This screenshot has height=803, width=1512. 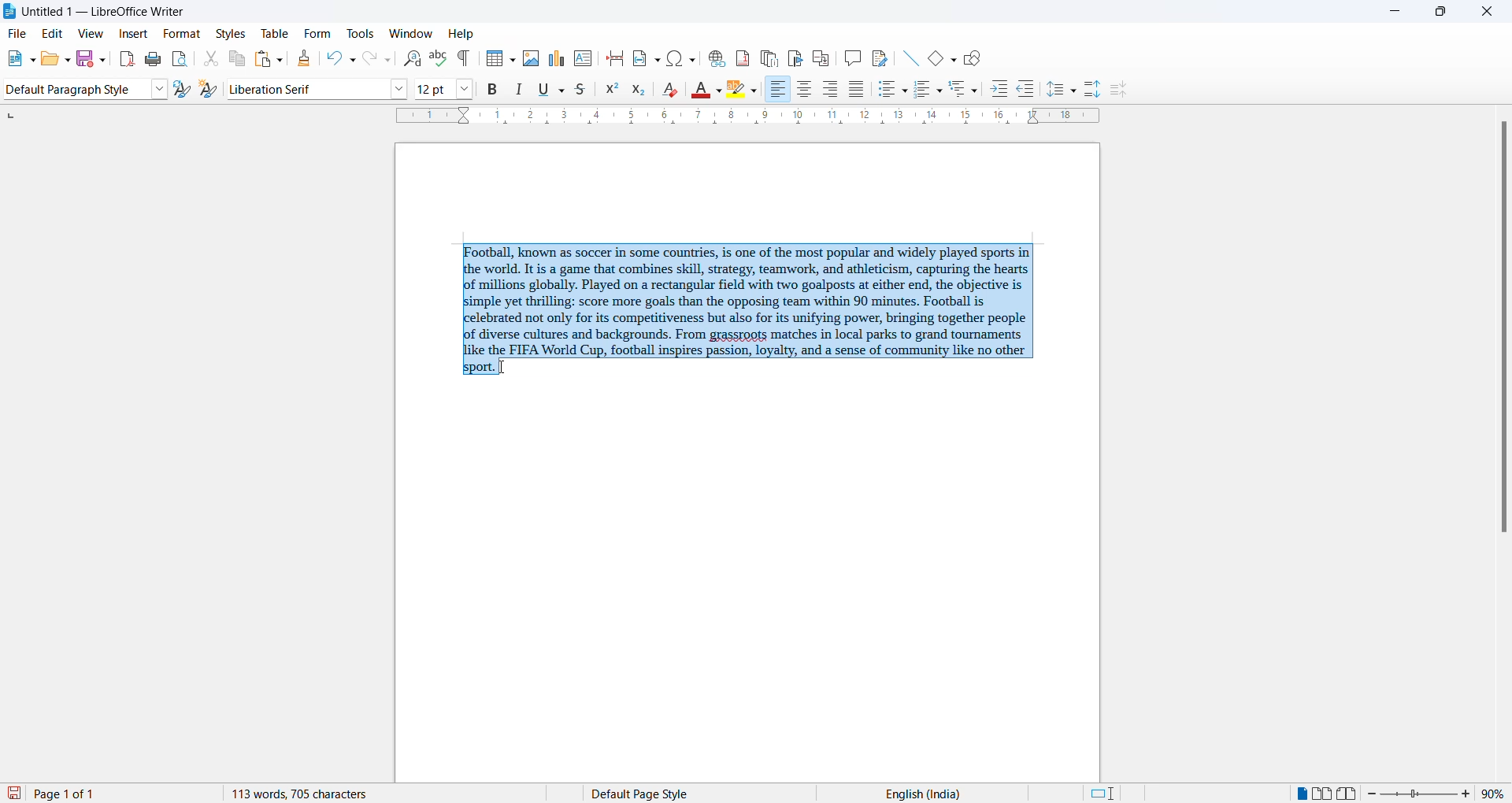 What do you see at coordinates (134, 35) in the screenshot?
I see `insert` at bounding box center [134, 35].